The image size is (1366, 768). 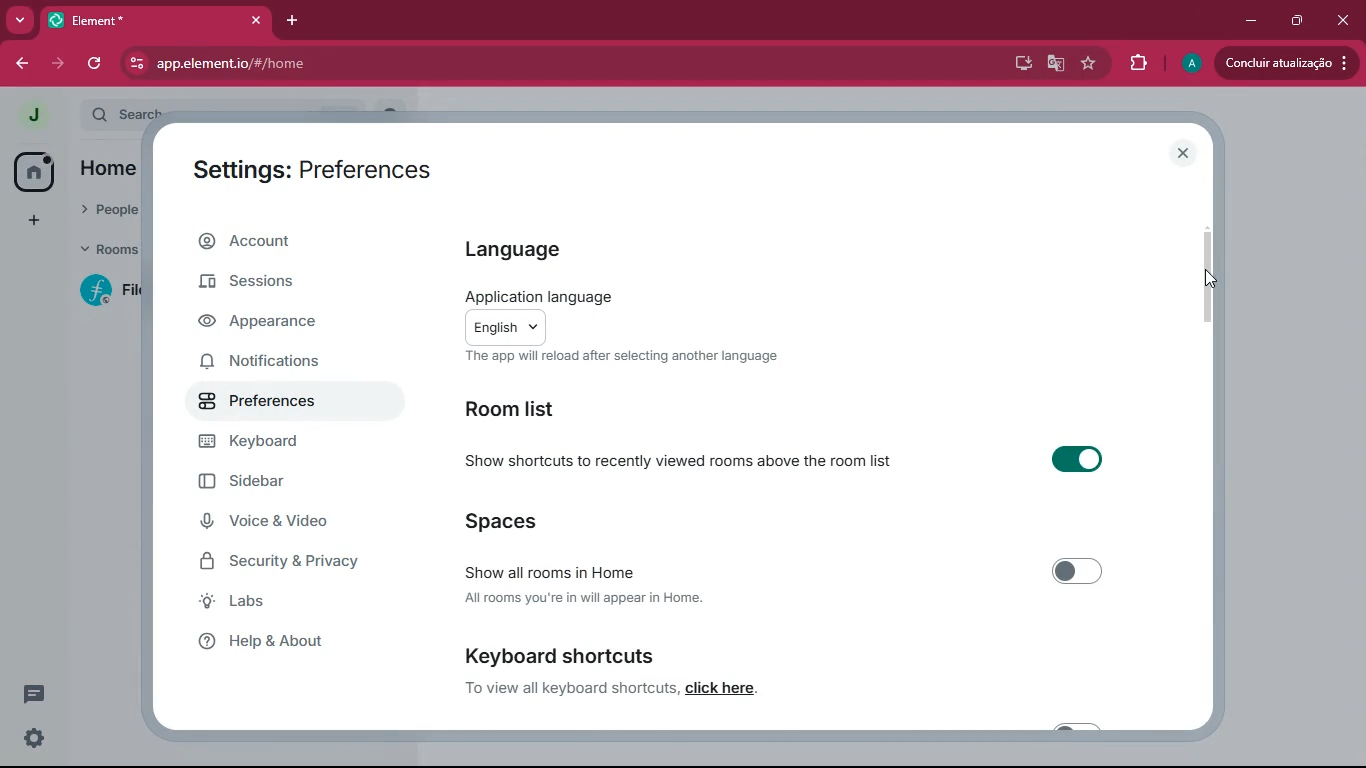 What do you see at coordinates (21, 65) in the screenshot?
I see `back` at bounding box center [21, 65].